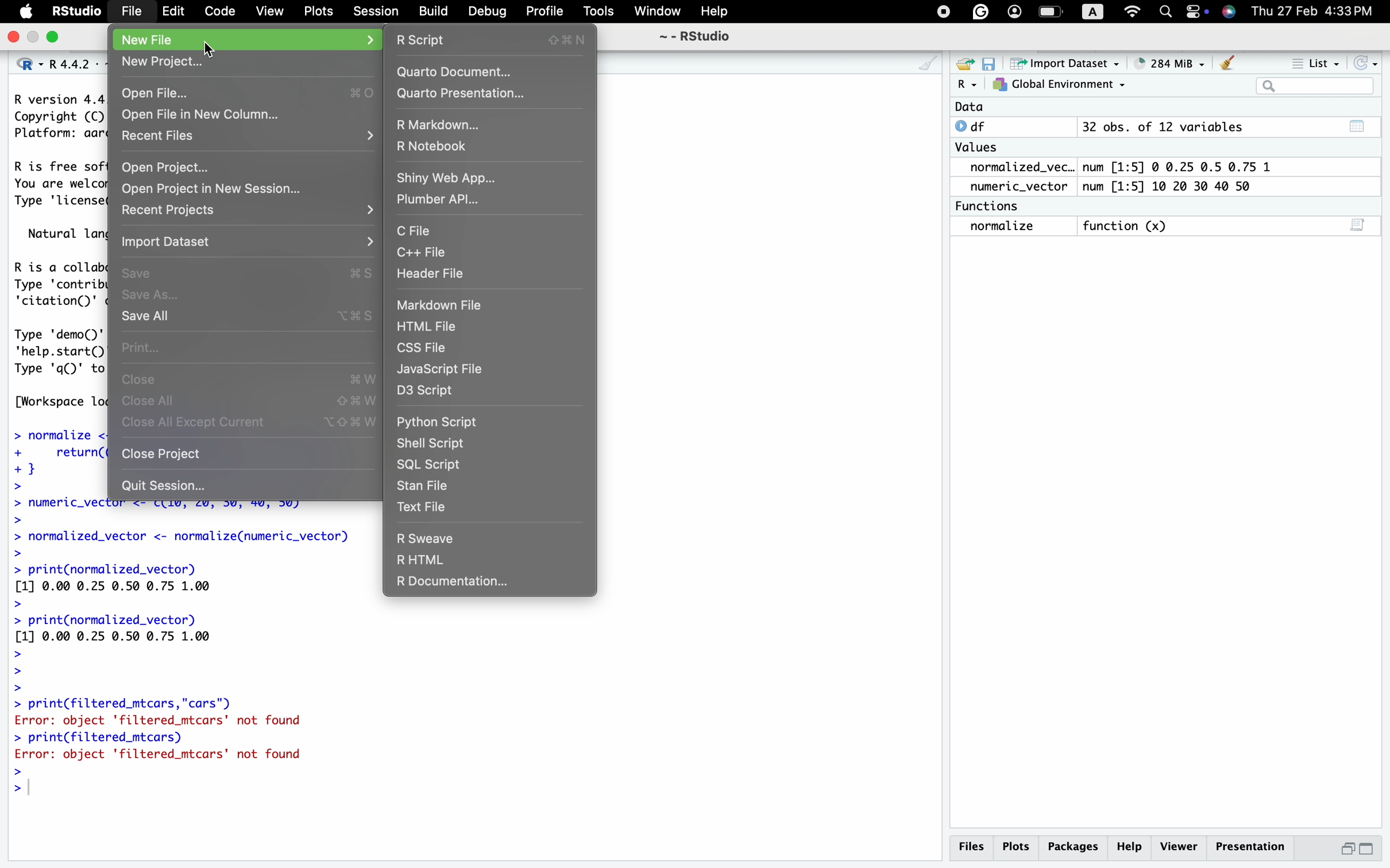 The image size is (1390, 868). I want to click on Debug, so click(488, 11).